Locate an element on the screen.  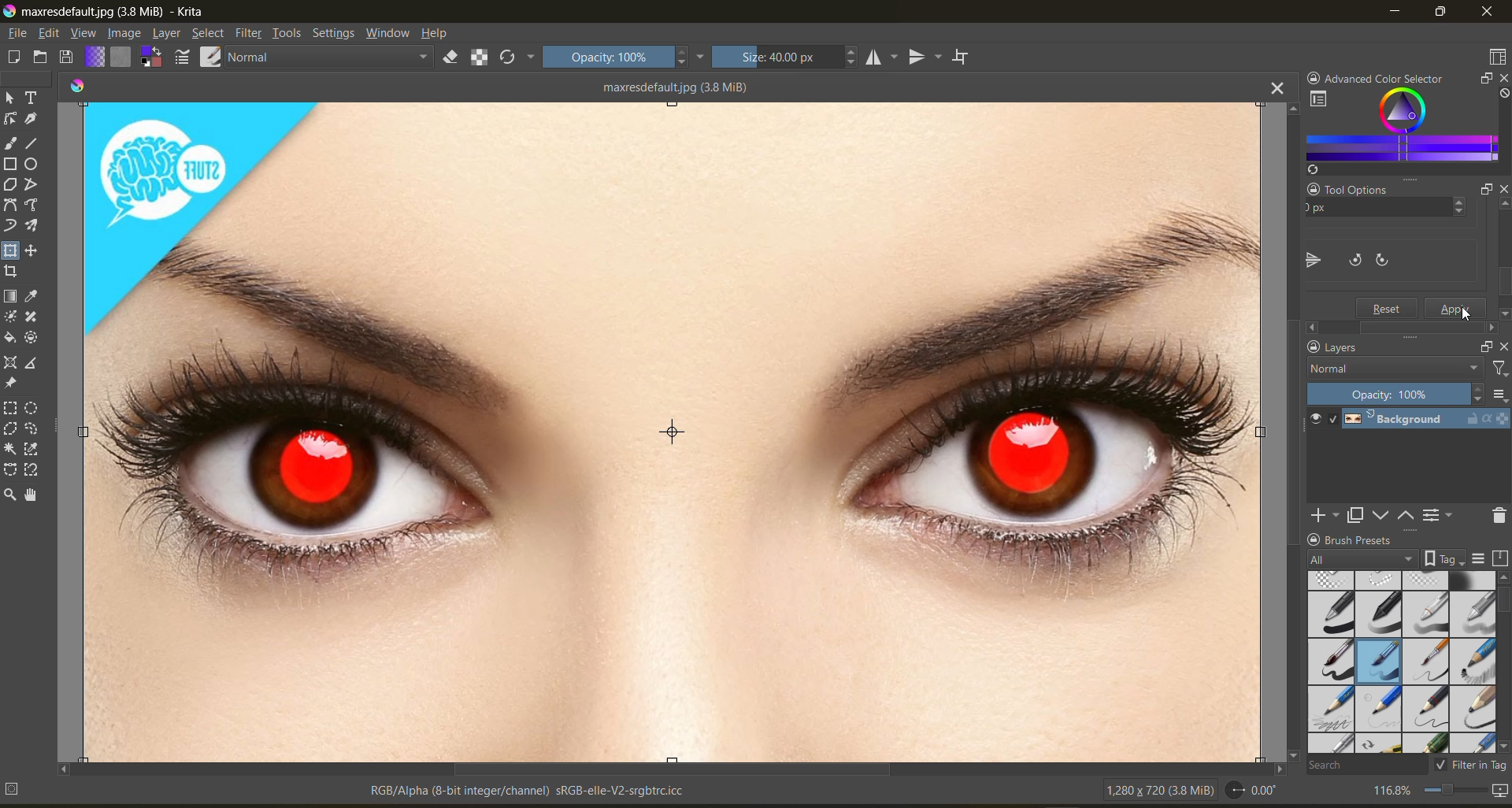
tool is located at coordinates (10, 119).